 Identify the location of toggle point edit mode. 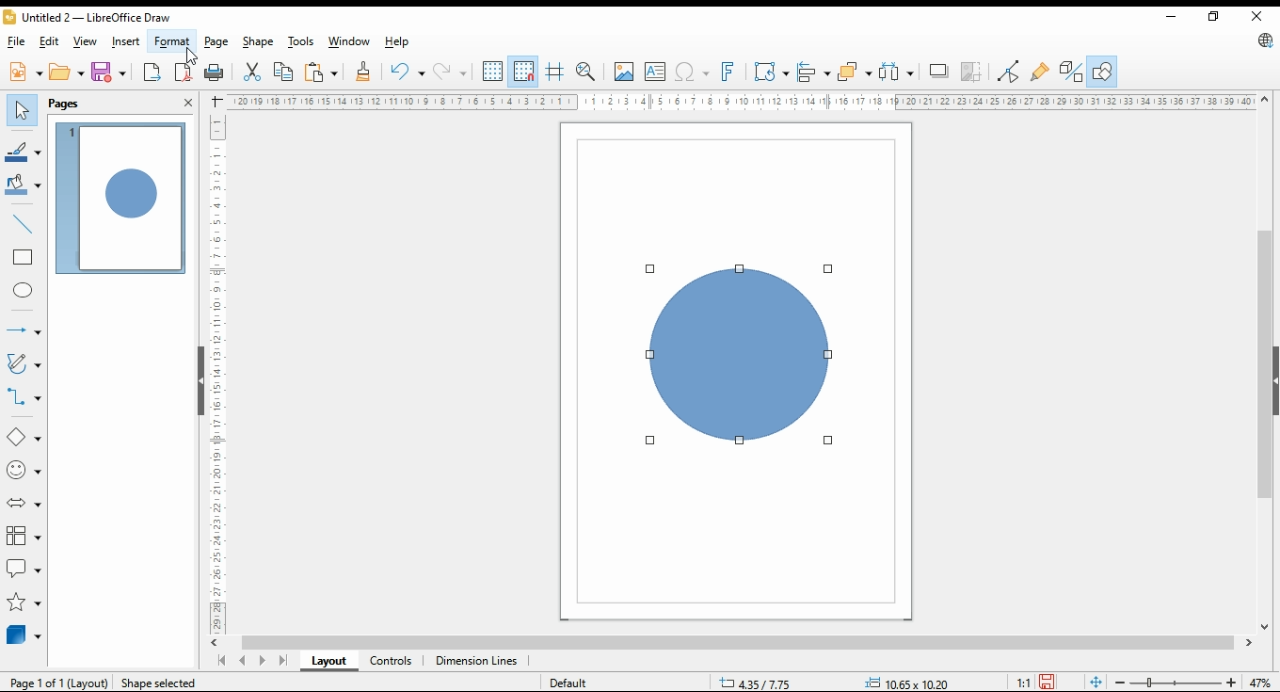
(1007, 70).